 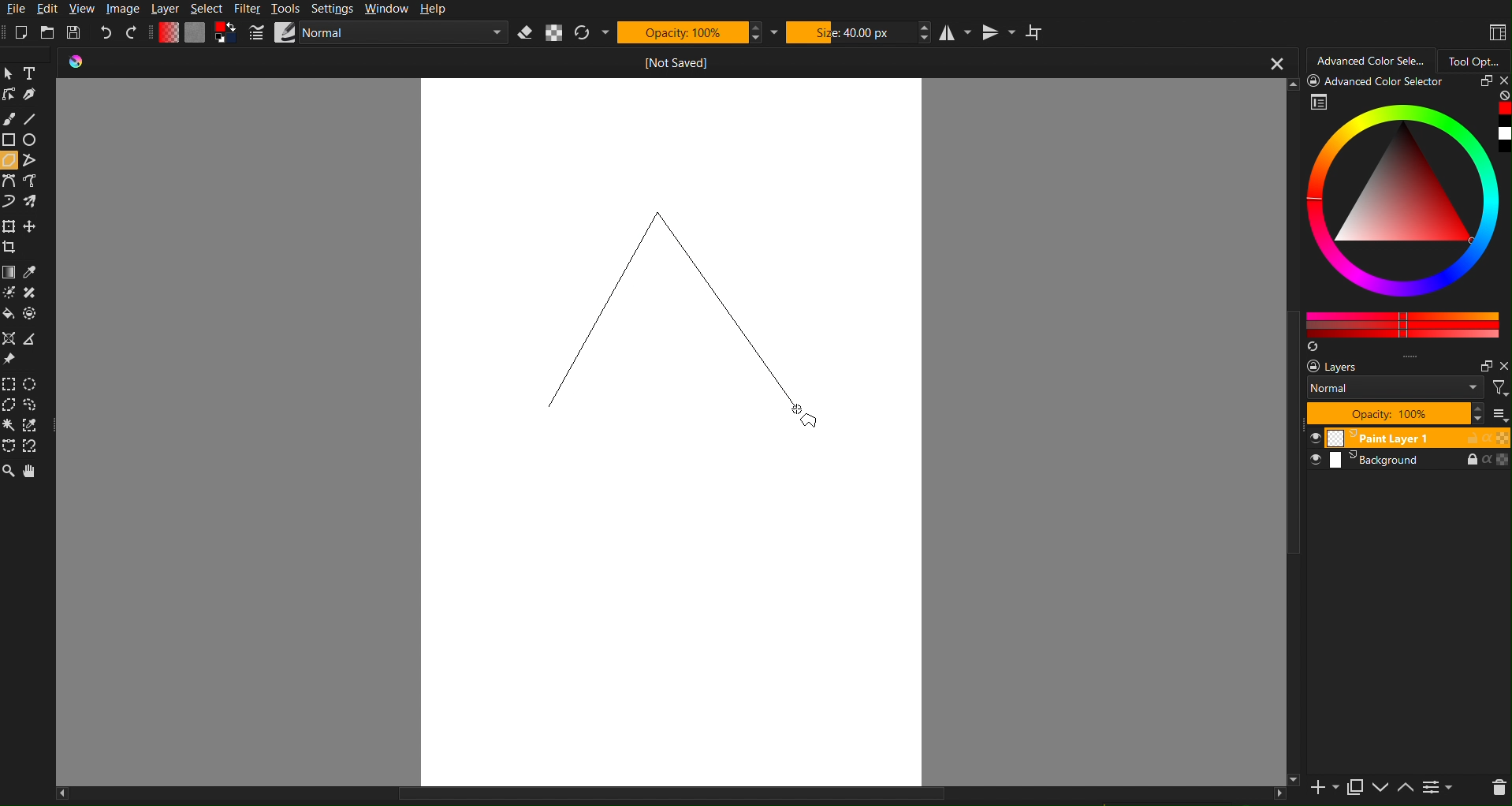 What do you see at coordinates (1318, 348) in the screenshot?
I see `create a list of colors from the image` at bounding box center [1318, 348].